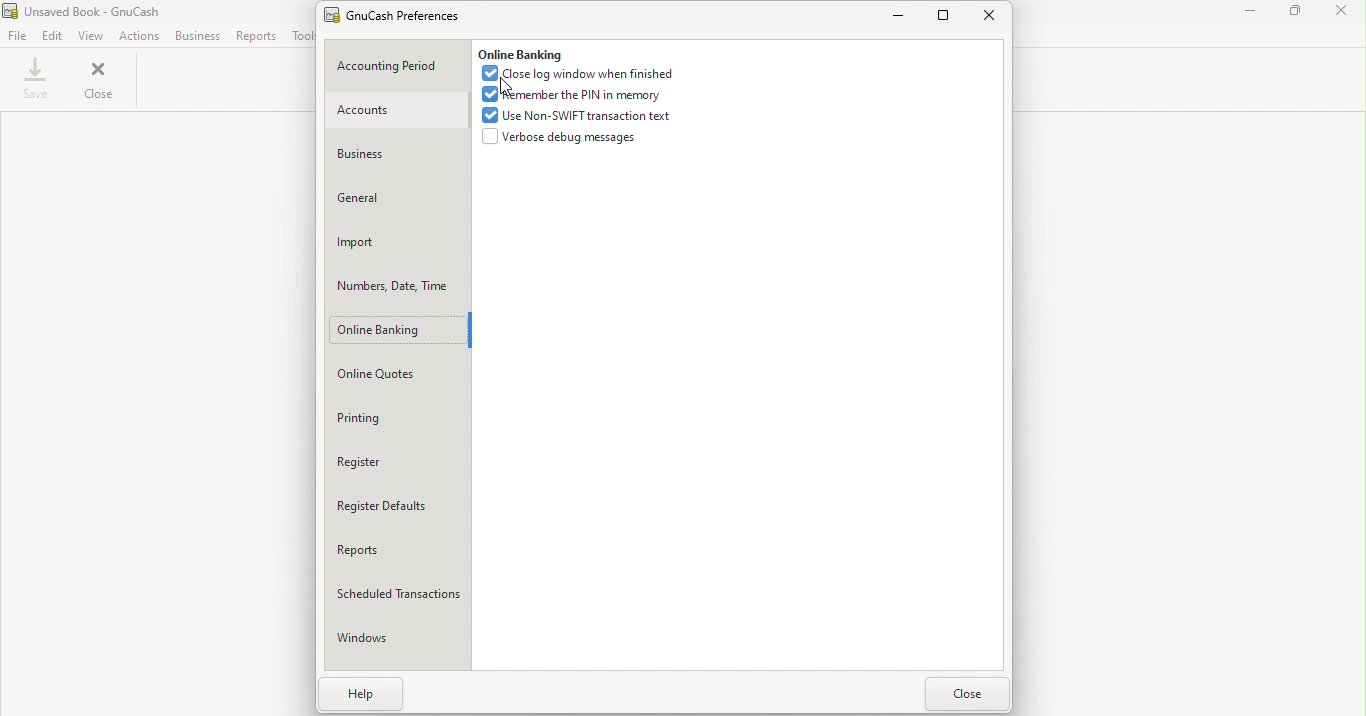 This screenshot has height=716, width=1366. I want to click on Register, so click(401, 463).